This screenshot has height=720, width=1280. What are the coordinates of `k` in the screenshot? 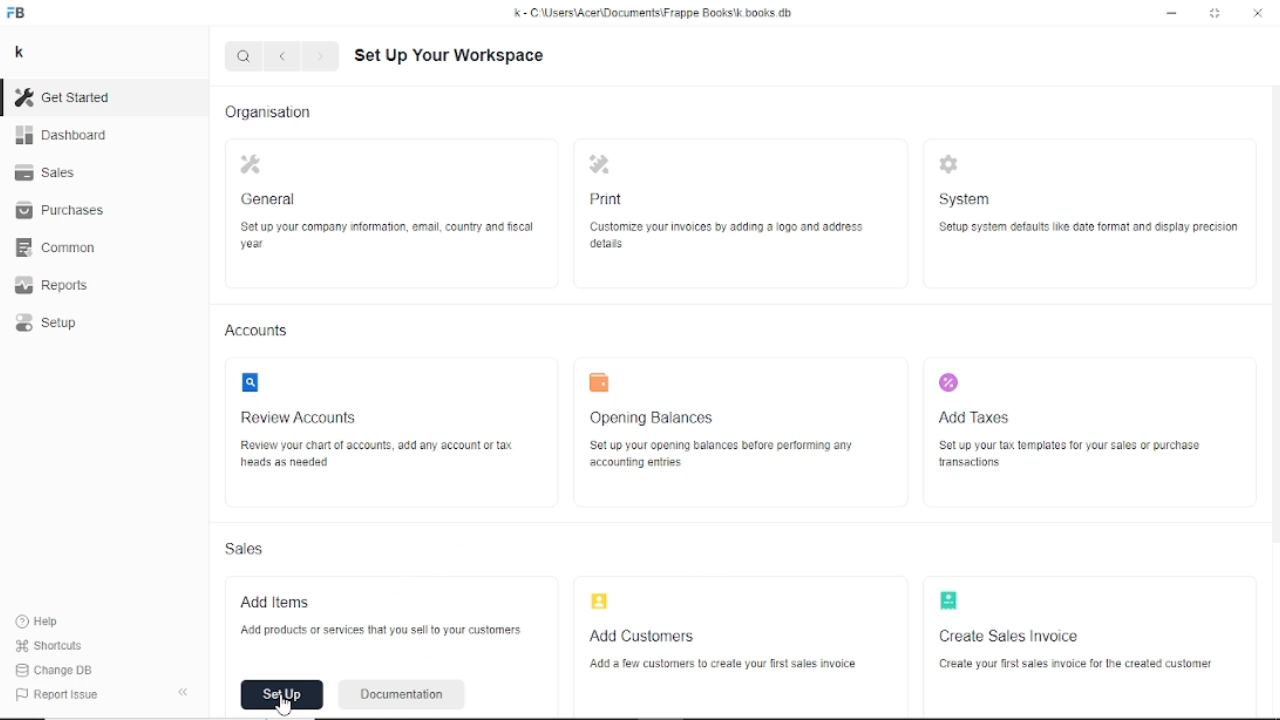 It's located at (22, 53).